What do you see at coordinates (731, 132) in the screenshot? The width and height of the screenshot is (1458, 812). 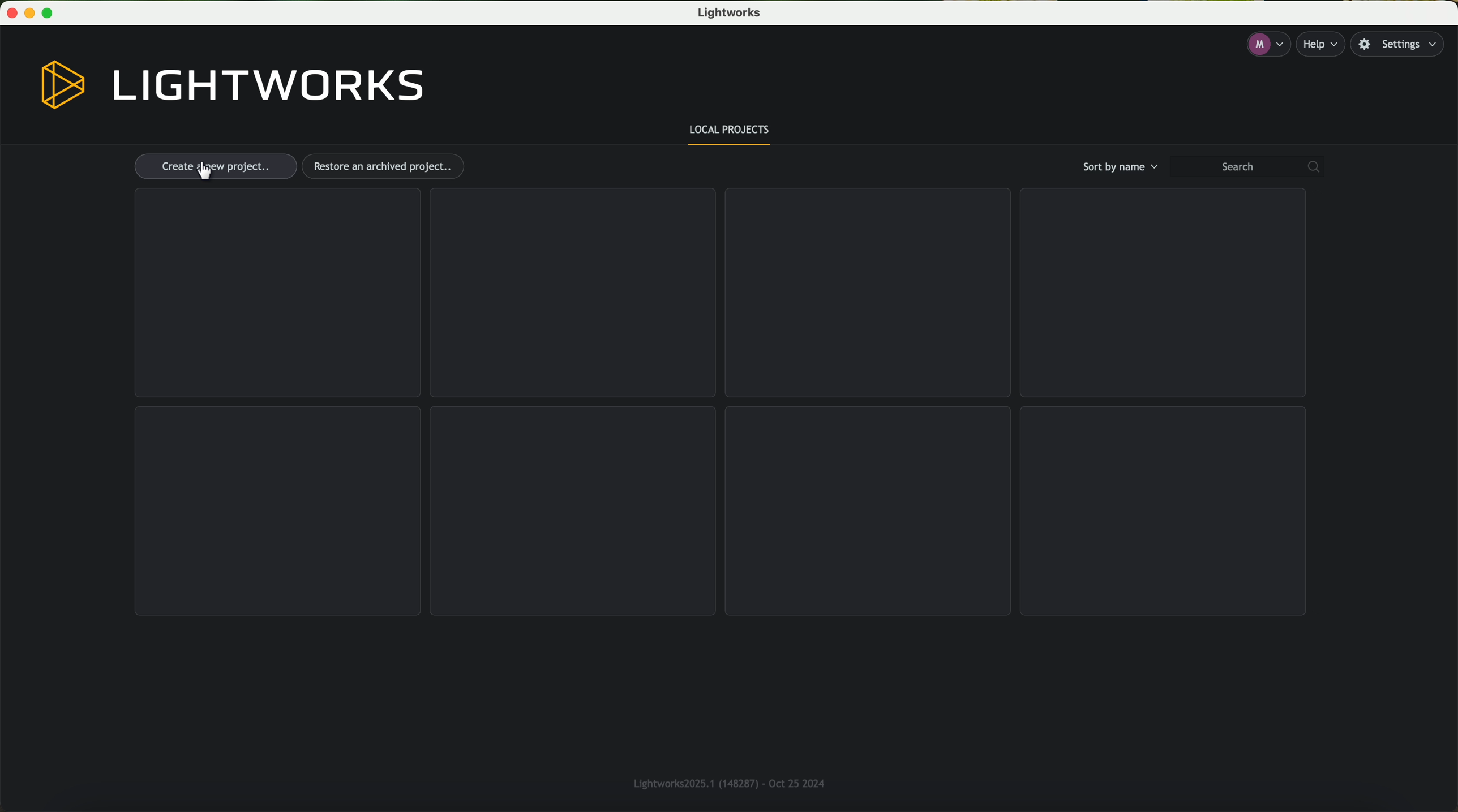 I see `local projects` at bounding box center [731, 132].